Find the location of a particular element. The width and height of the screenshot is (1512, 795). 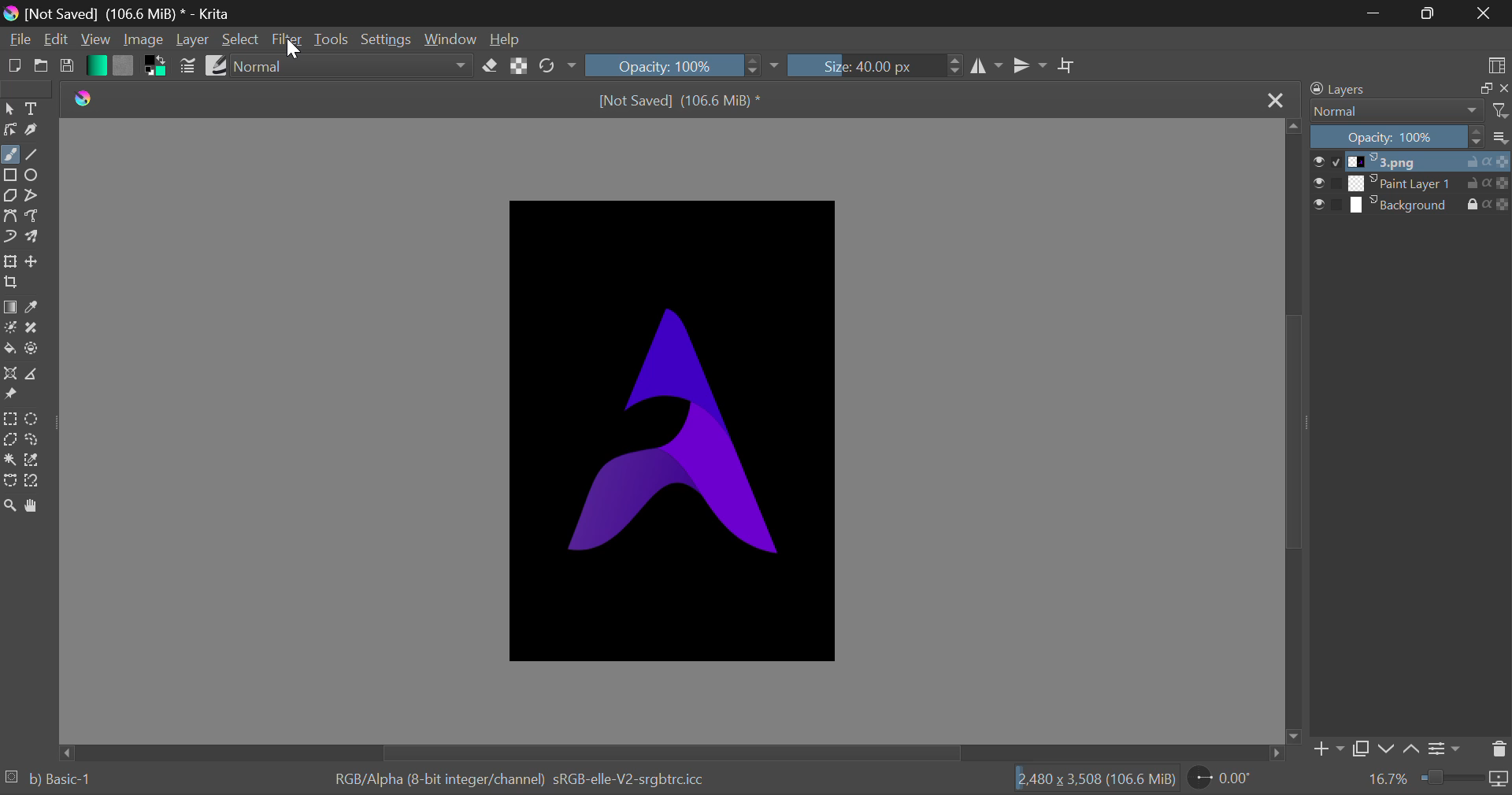

Layer is located at coordinates (193, 41).